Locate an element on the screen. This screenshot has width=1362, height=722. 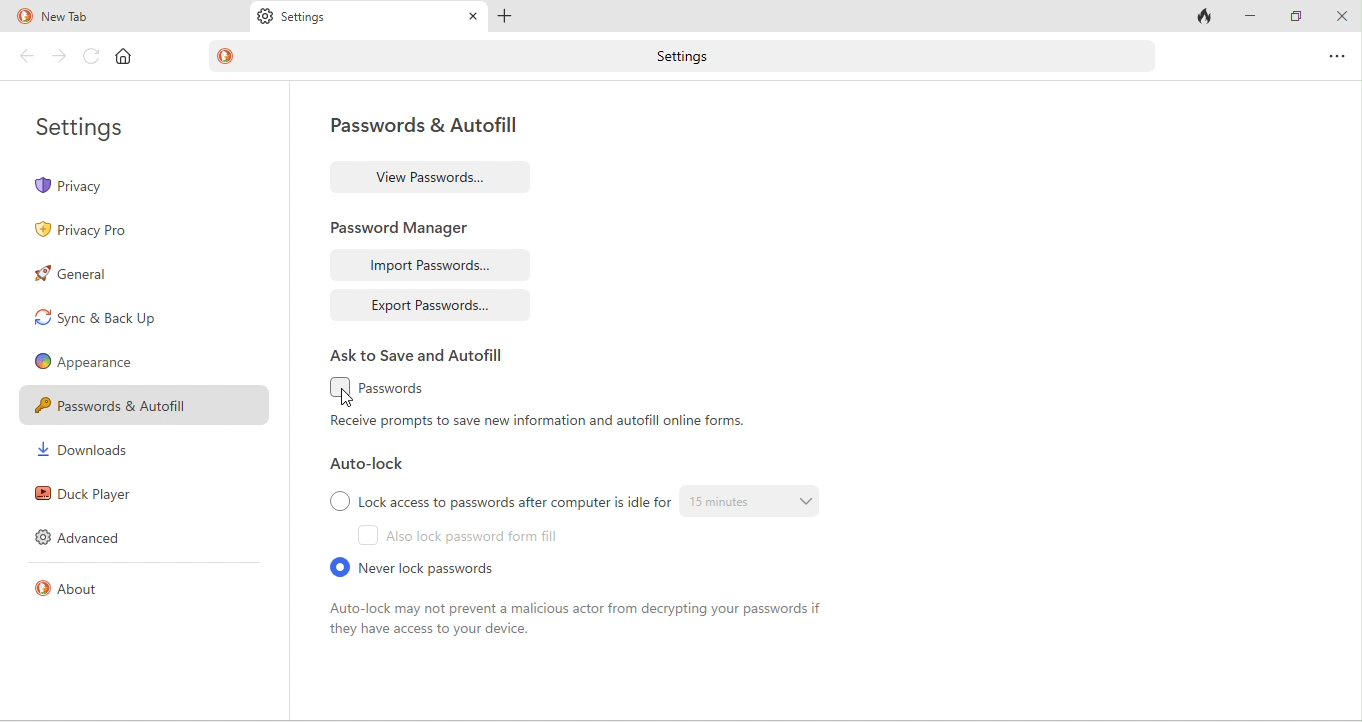
import passwords is located at coordinates (435, 266).